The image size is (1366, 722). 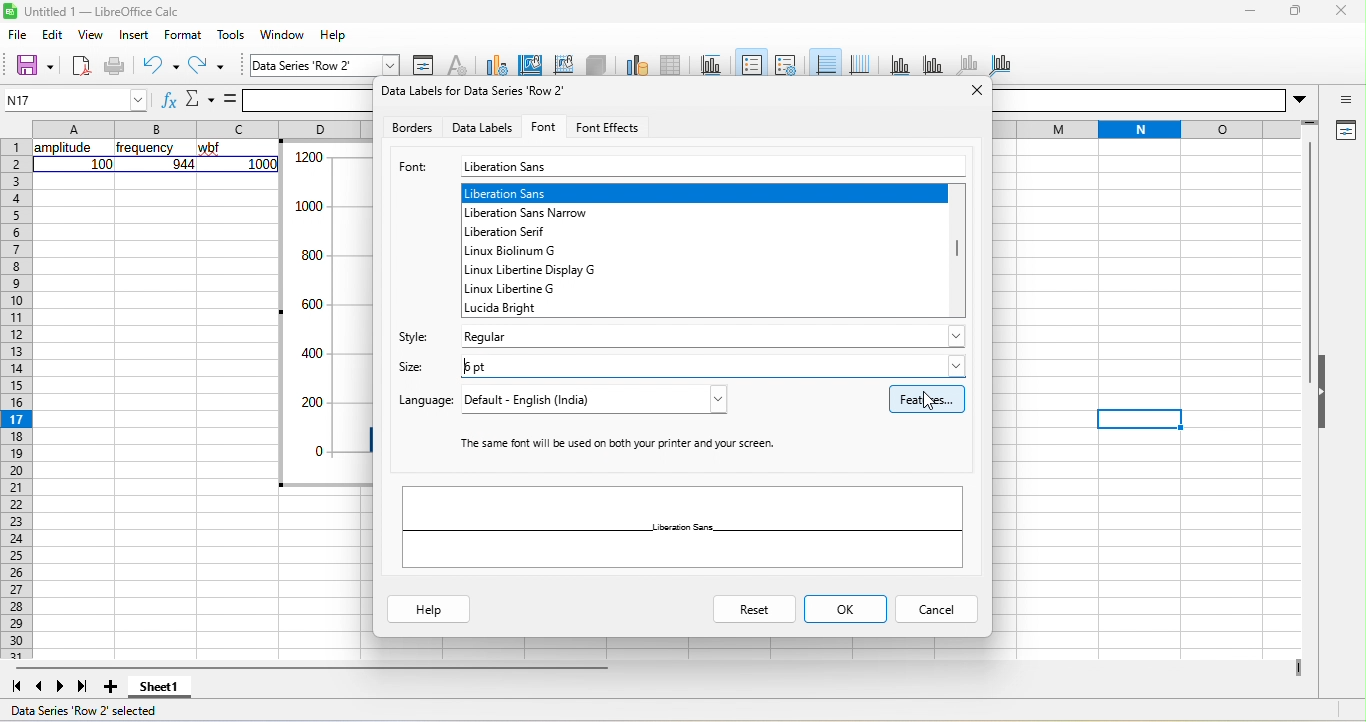 I want to click on 944, so click(x=182, y=164).